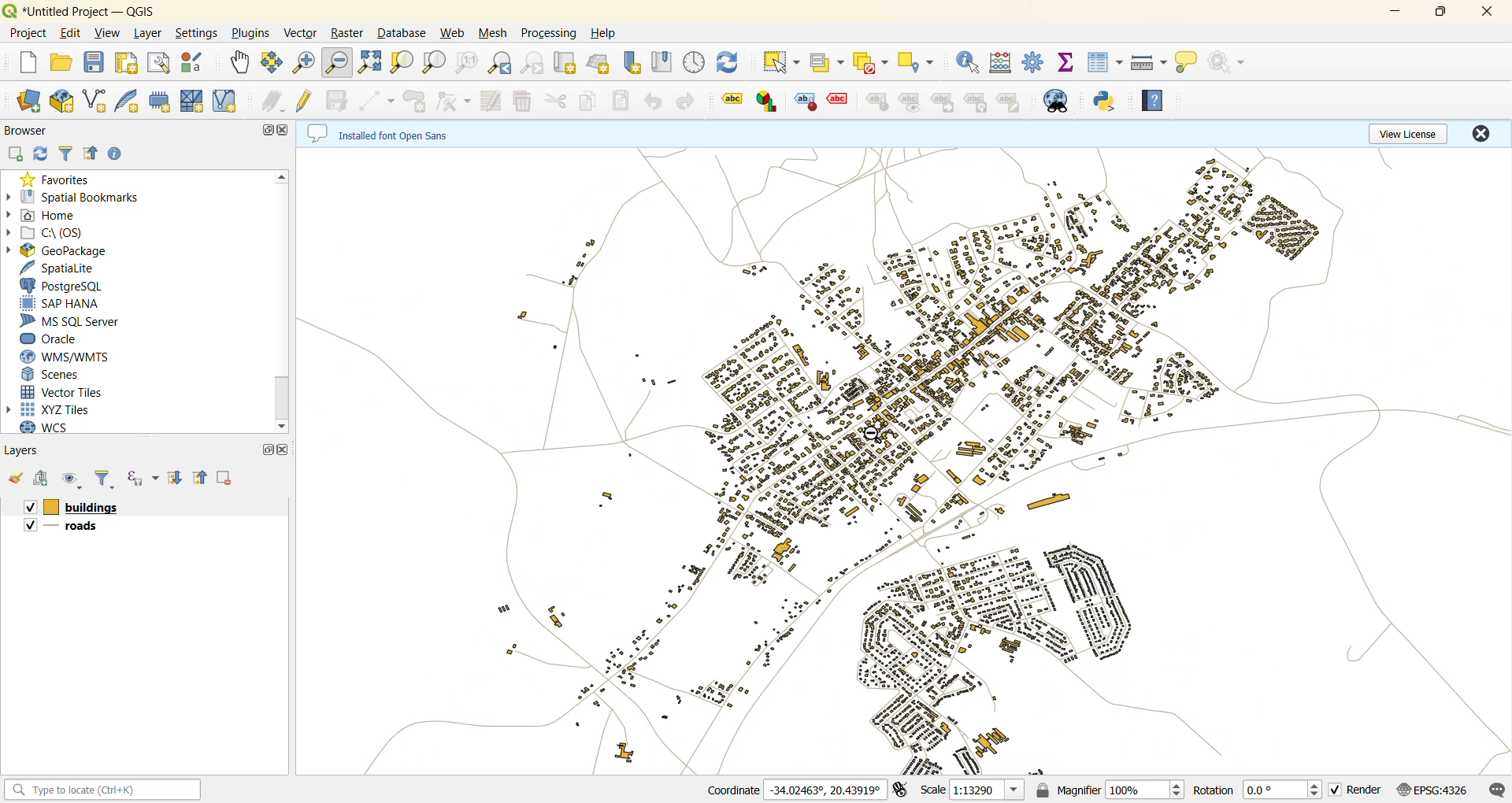 Image resolution: width=1512 pixels, height=803 pixels. Describe the element at coordinates (348, 32) in the screenshot. I see `raster` at that location.